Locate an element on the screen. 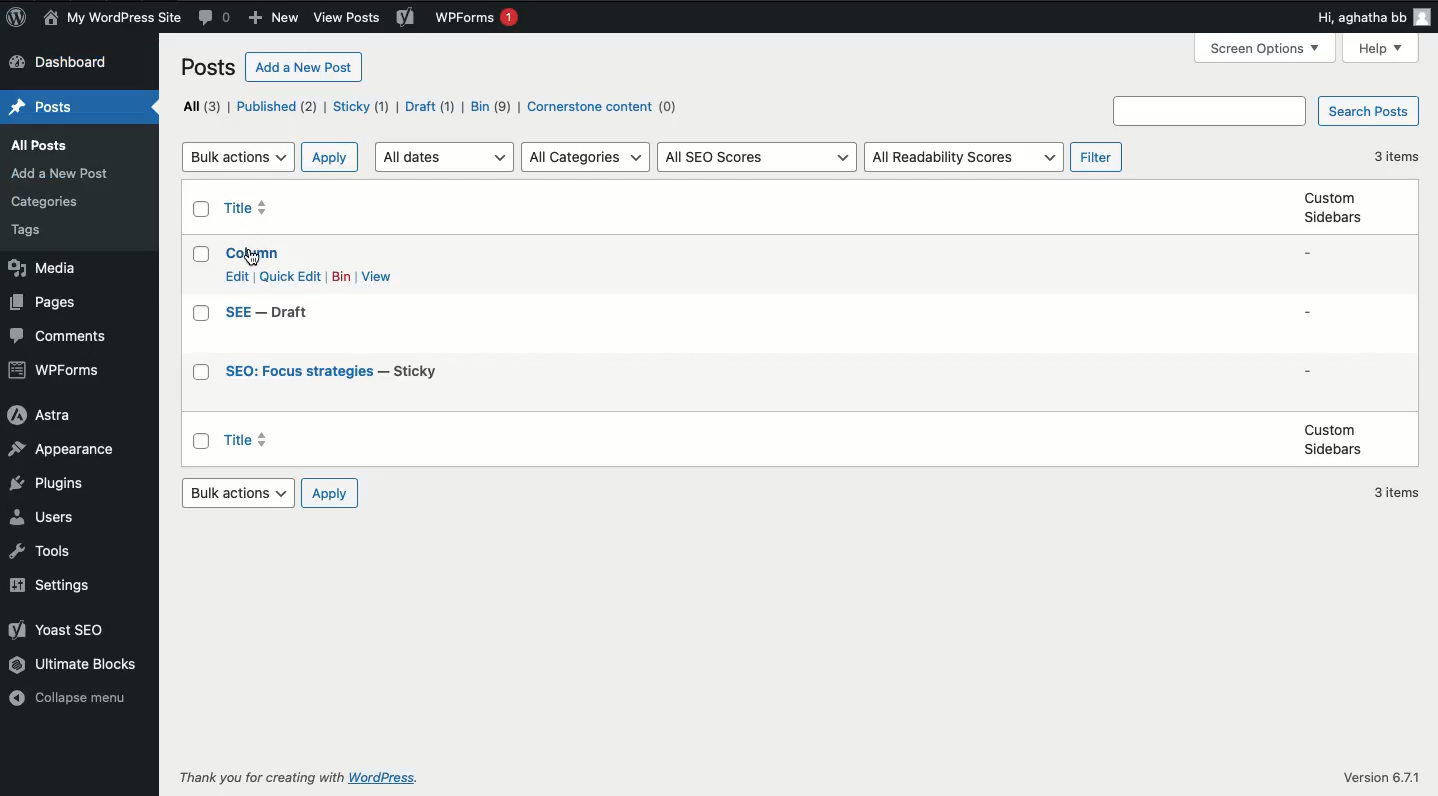 Image resolution: width=1438 pixels, height=796 pixels. WPForms is located at coordinates (482, 19).